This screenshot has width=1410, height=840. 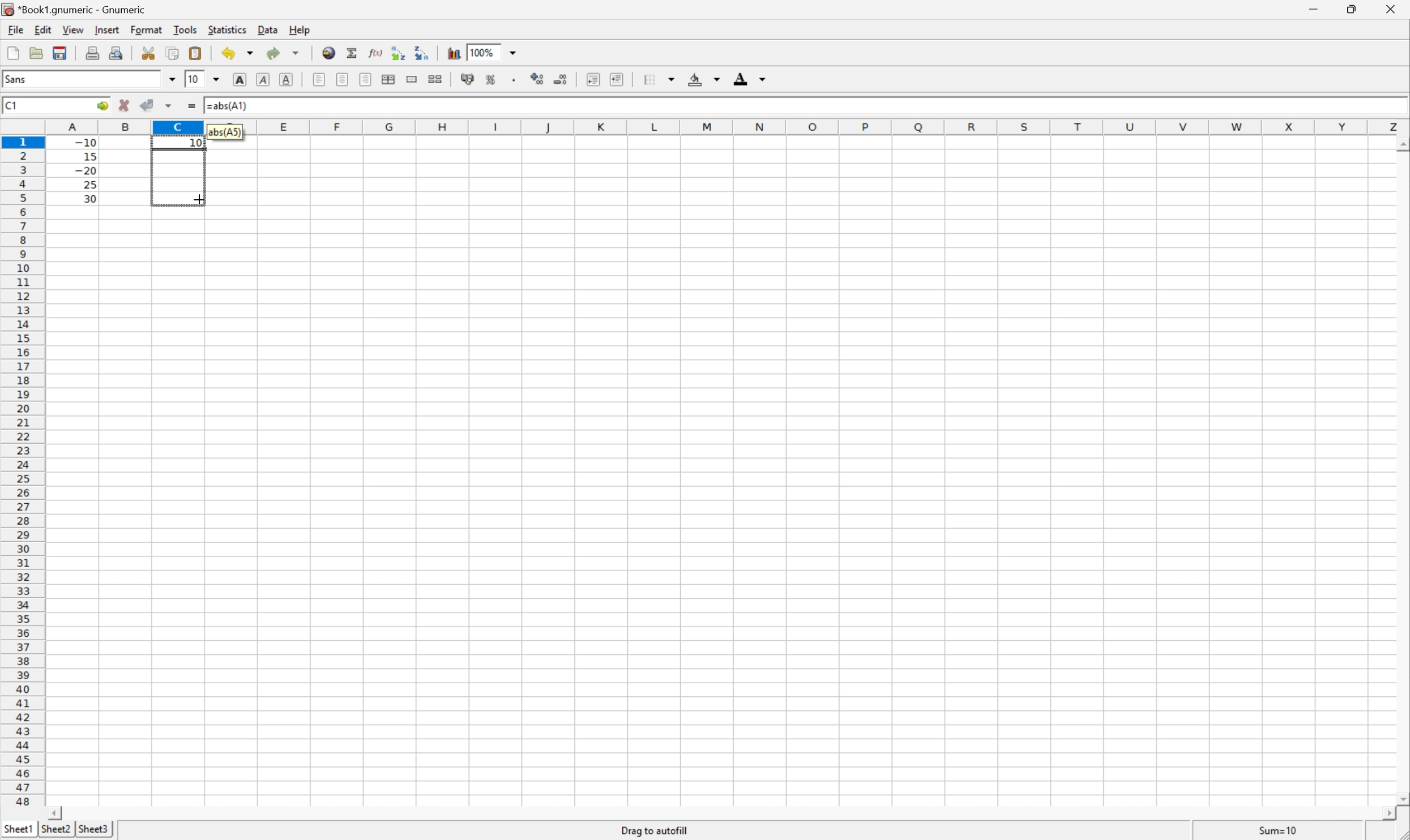 I want to click on Edit a function in current cell, so click(x=375, y=52).